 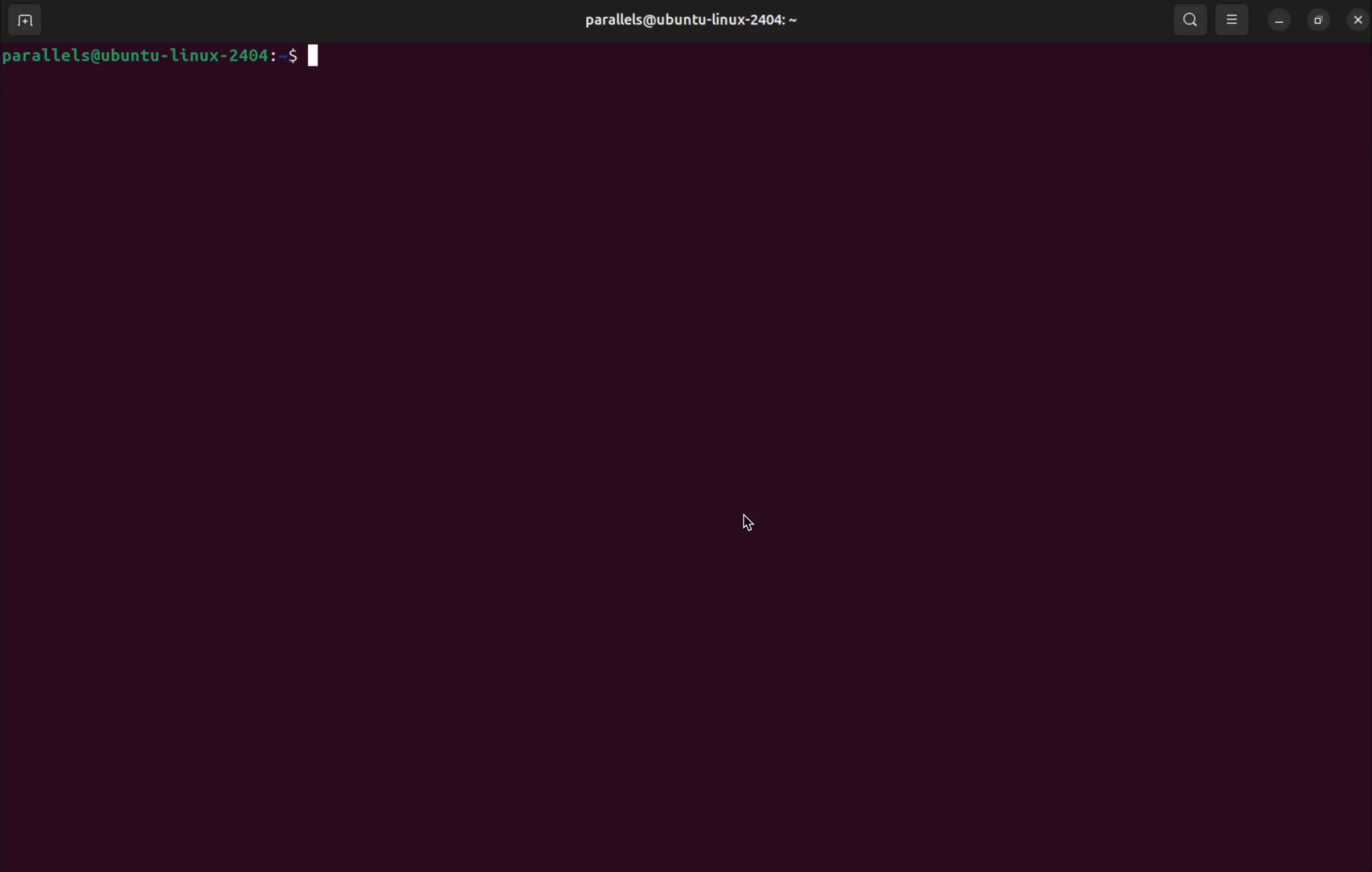 I want to click on view option, so click(x=1234, y=21).